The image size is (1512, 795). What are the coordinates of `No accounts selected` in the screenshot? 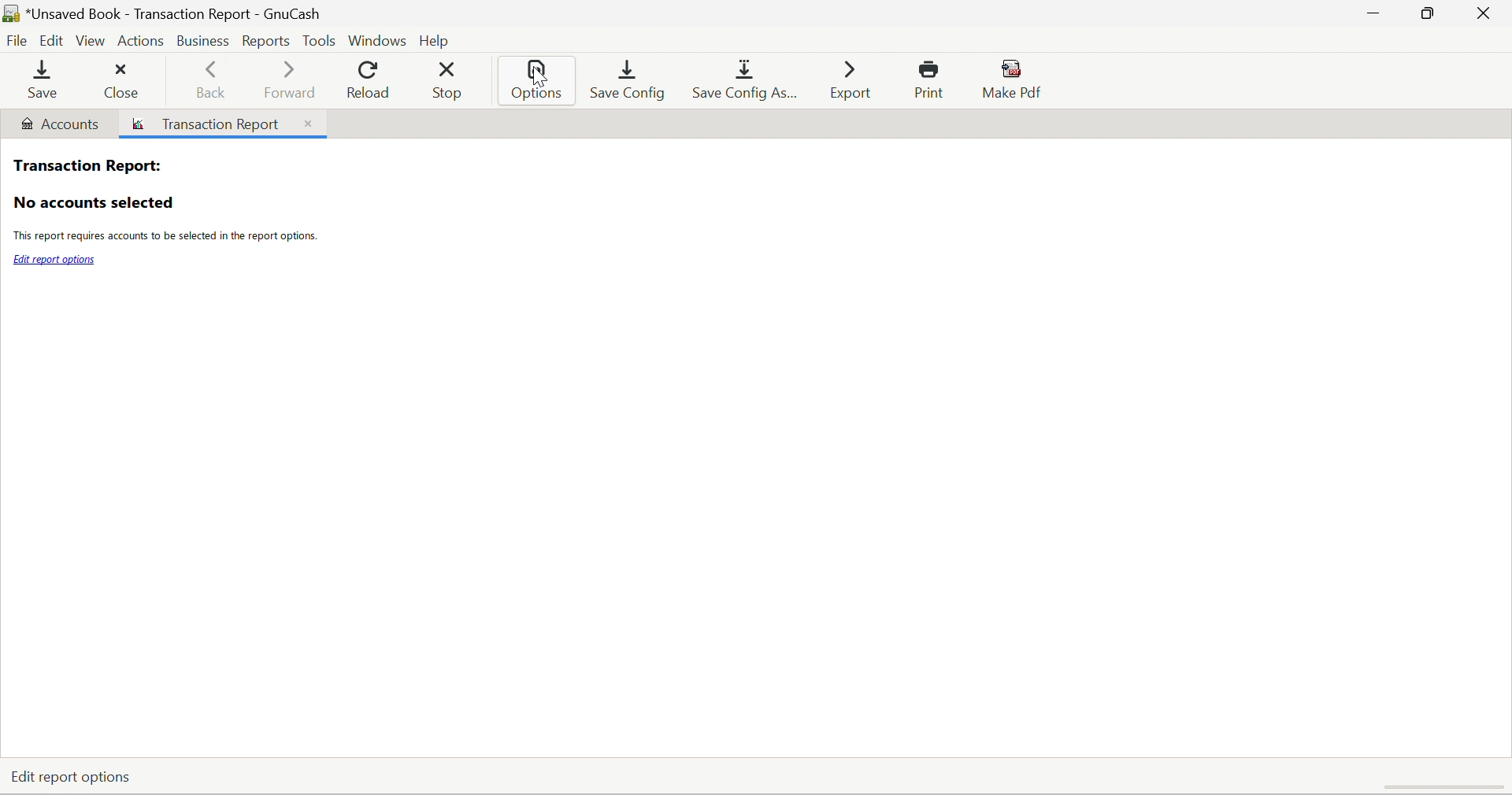 It's located at (93, 203).